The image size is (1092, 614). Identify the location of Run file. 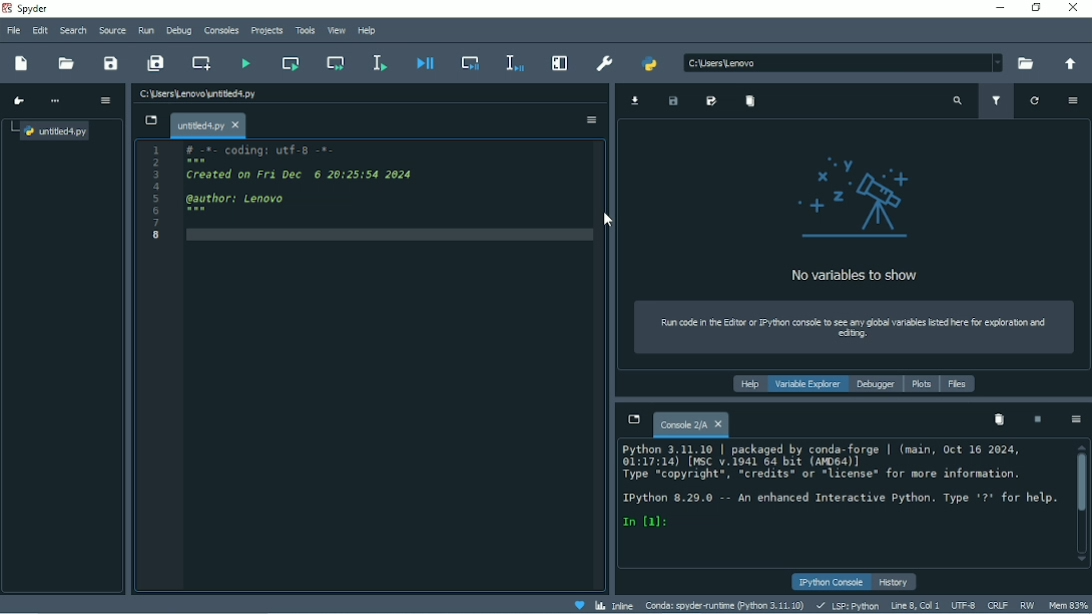
(246, 62).